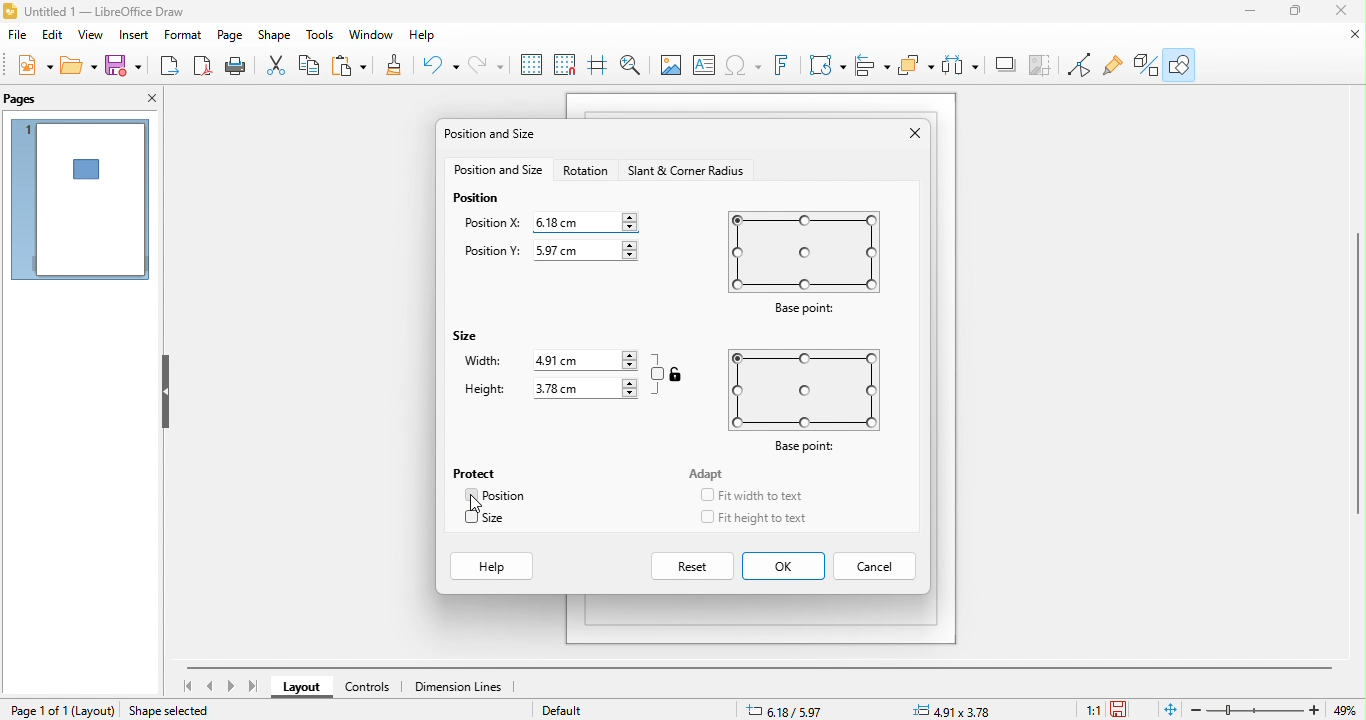  I want to click on size, so click(467, 336).